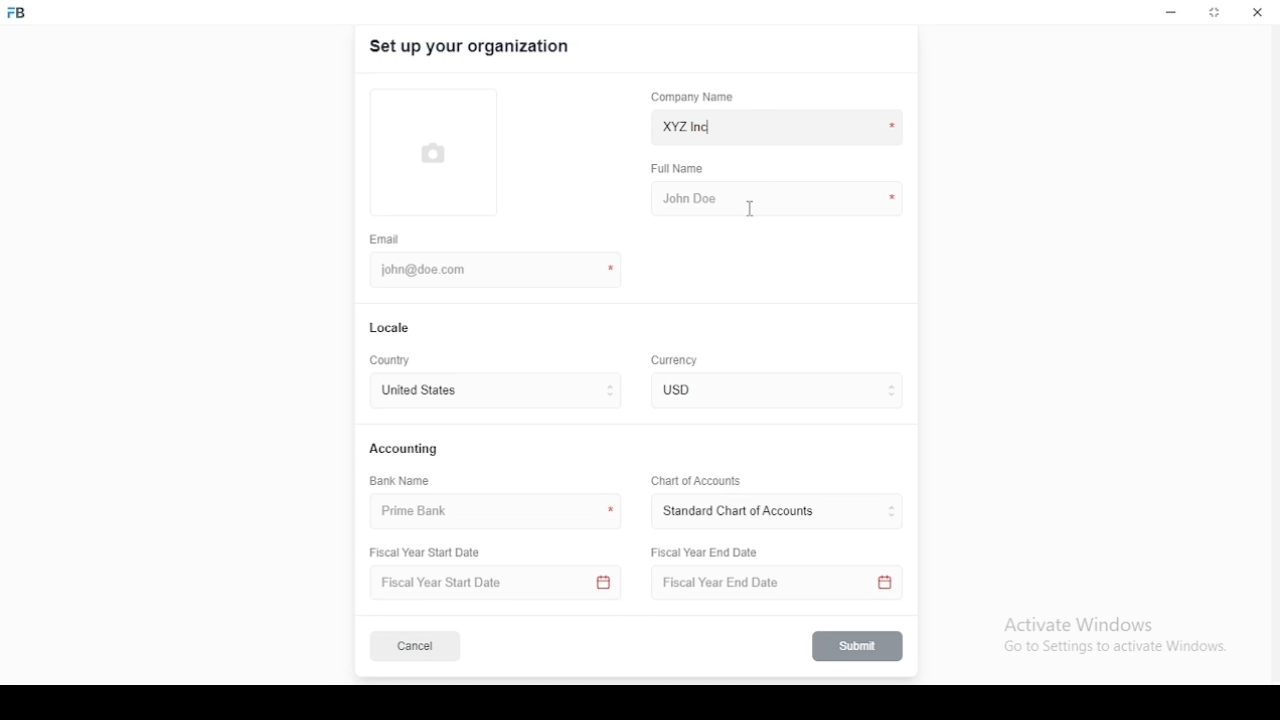  What do you see at coordinates (689, 390) in the screenshot?
I see `currency` at bounding box center [689, 390].